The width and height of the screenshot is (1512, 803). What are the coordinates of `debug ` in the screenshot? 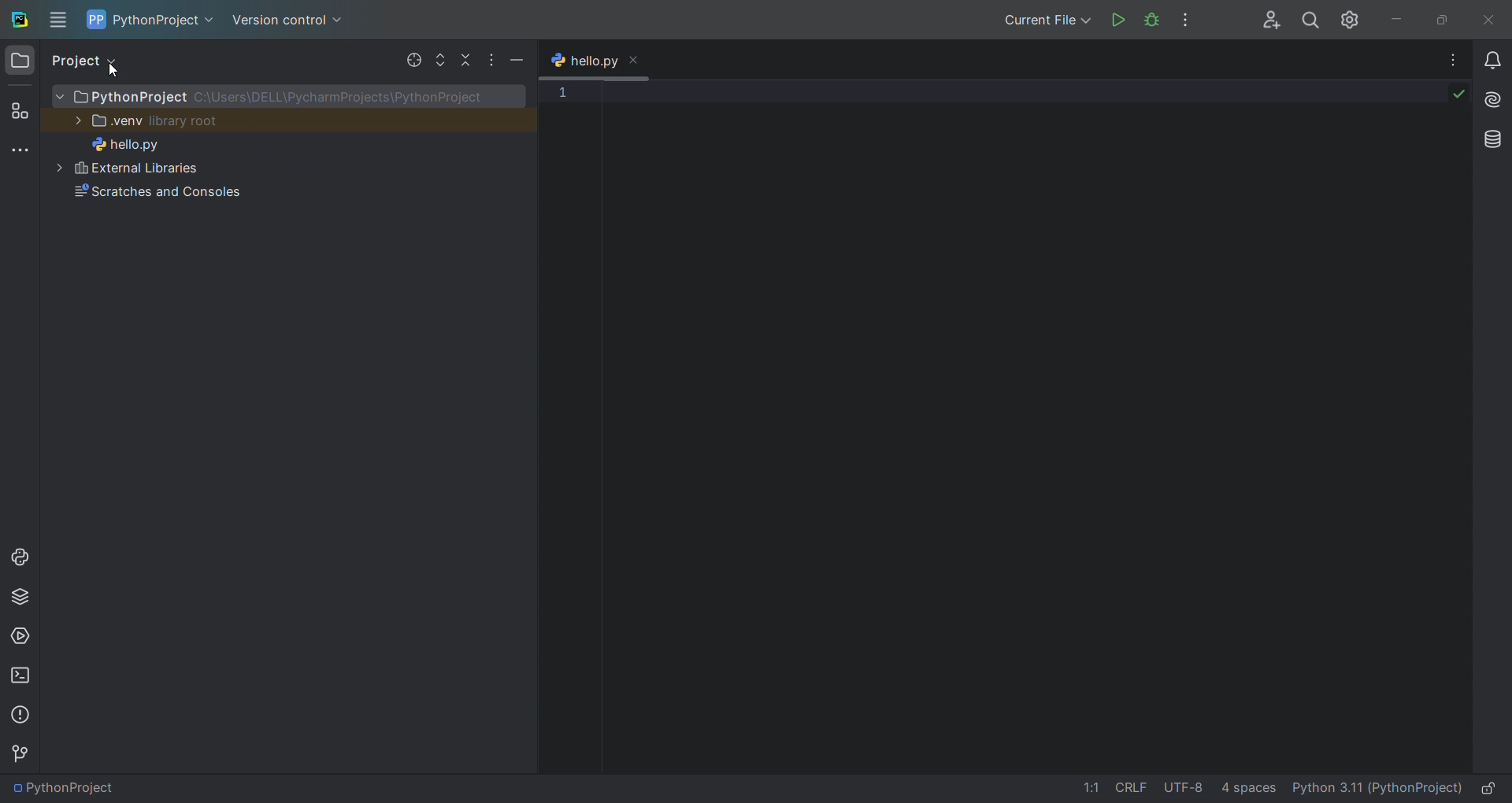 It's located at (1151, 19).